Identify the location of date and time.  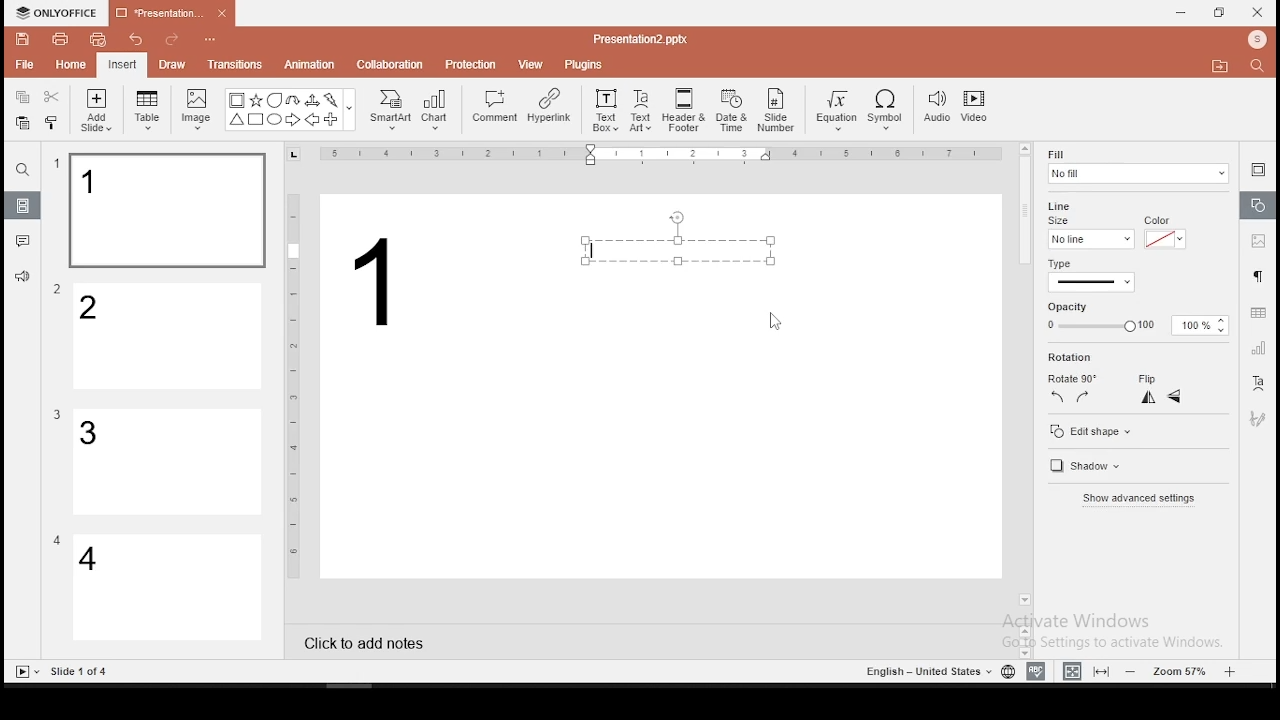
(732, 110).